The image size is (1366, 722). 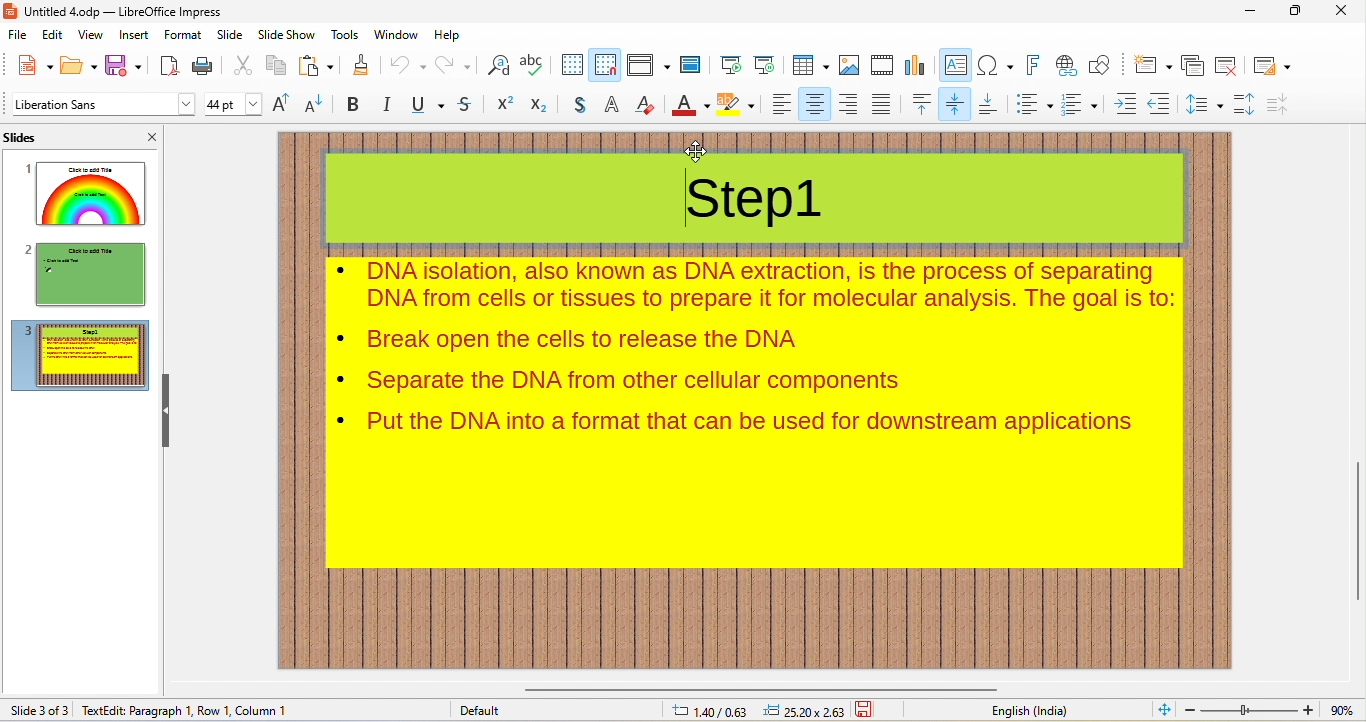 What do you see at coordinates (52, 36) in the screenshot?
I see `edit` at bounding box center [52, 36].